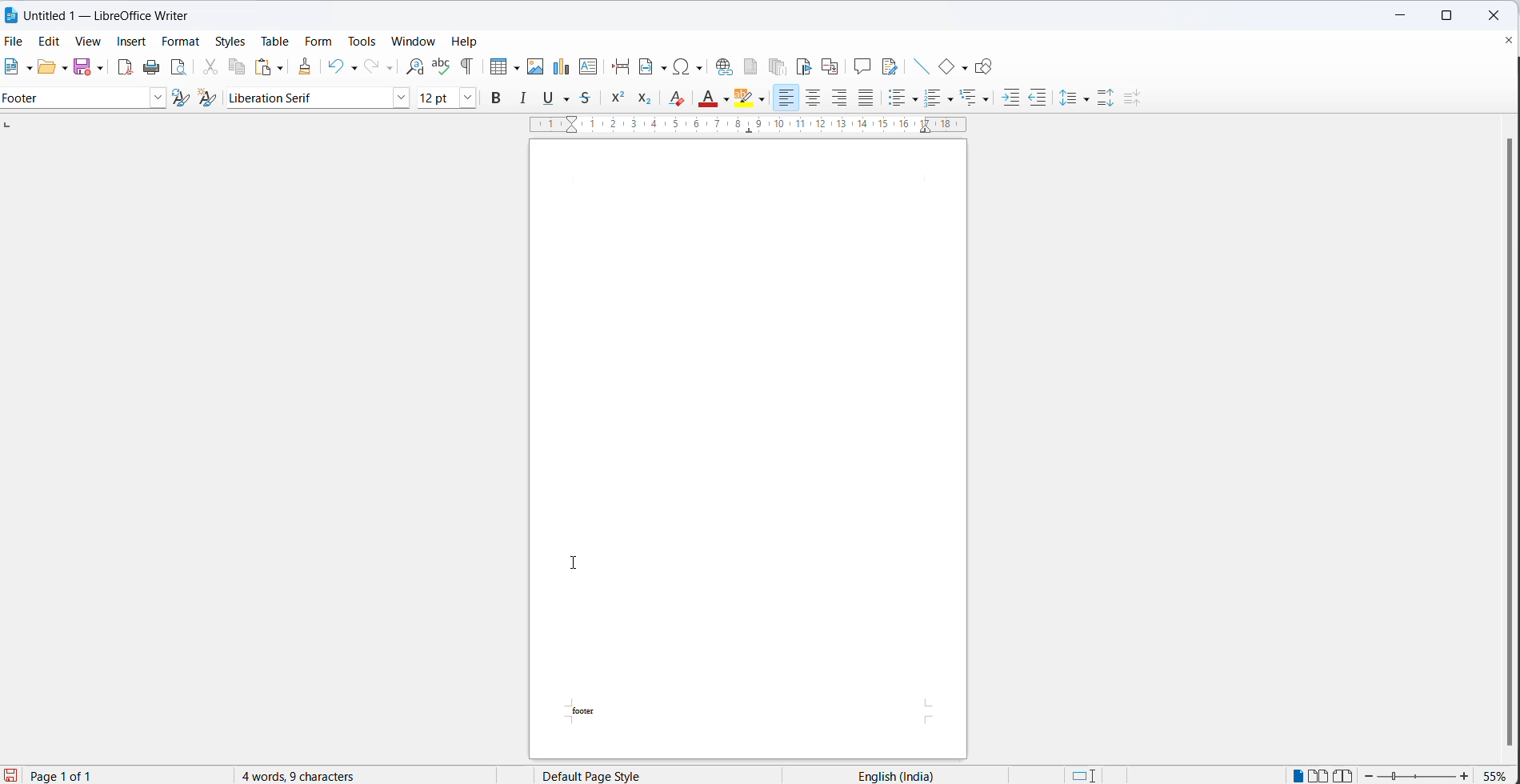 This screenshot has width=1520, height=784. Describe the element at coordinates (726, 98) in the screenshot. I see `font color options` at that location.